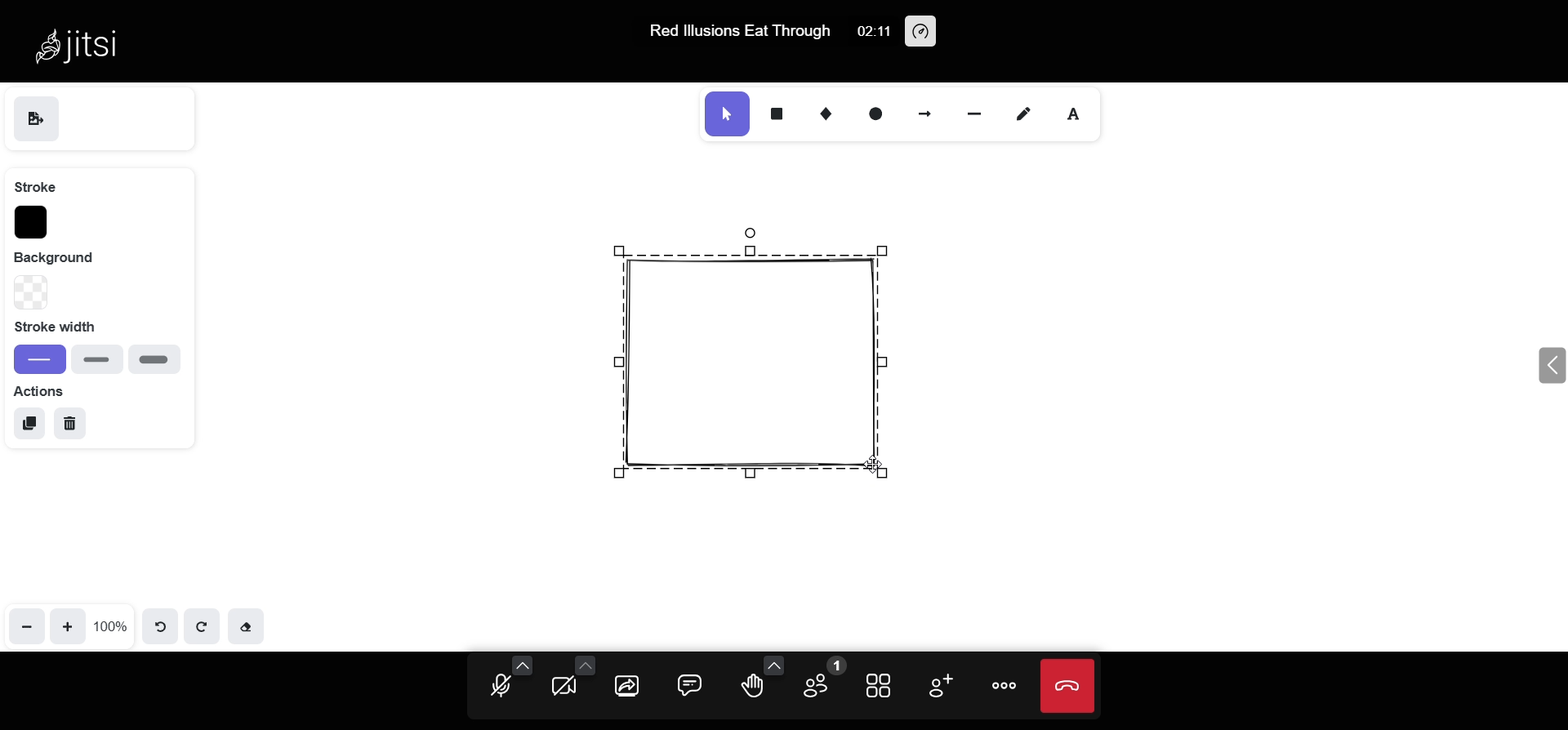  Describe the element at coordinates (1080, 113) in the screenshot. I see `text` at that location.